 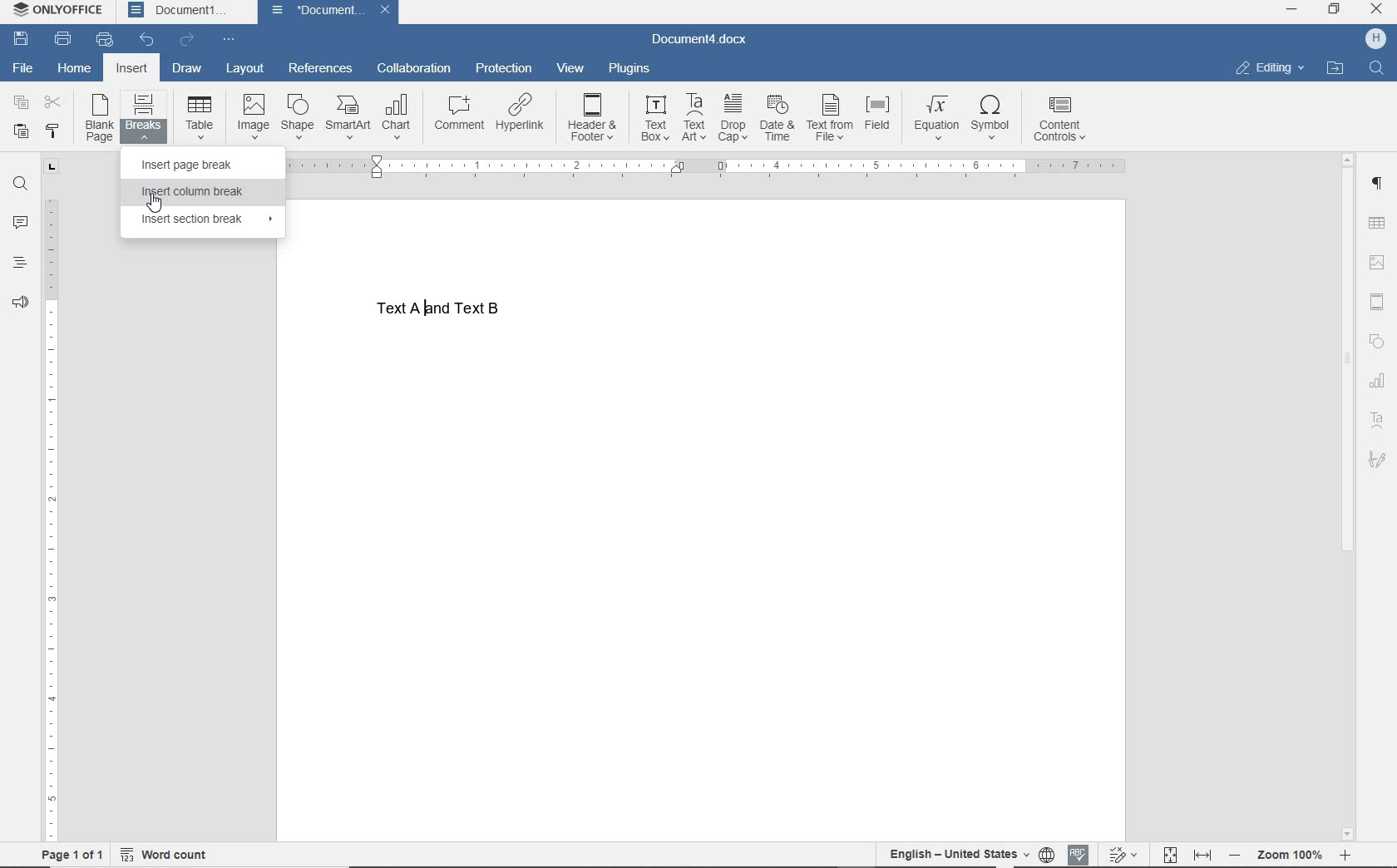 I want to click on PLUGINS, so click(x=629, y=70).